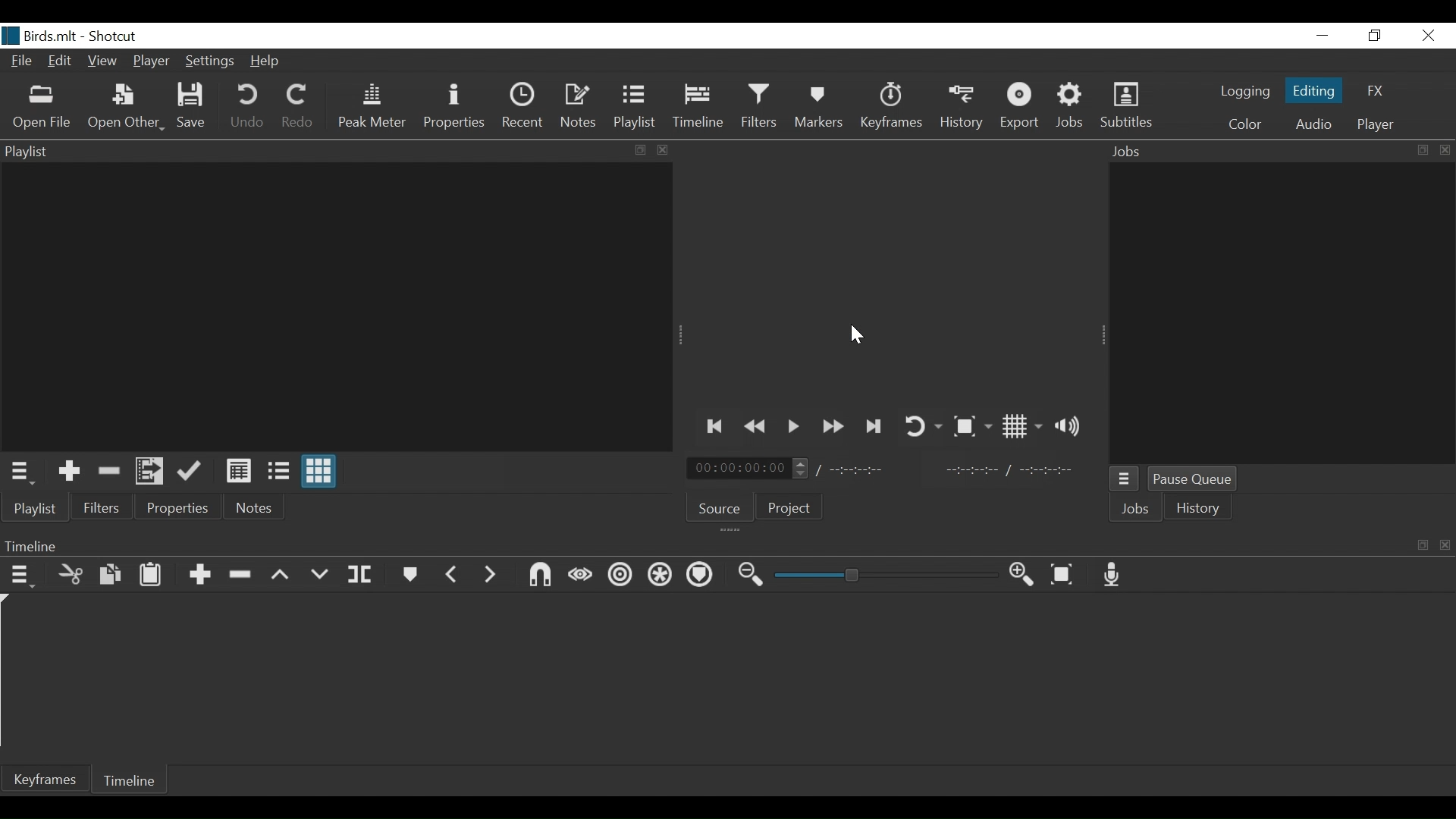 This screenshot has width=1456, height=819. What do you see at coordinates (360, 575) in the screenshot?
I see `Split at playhead` at bounding box center [360, 575].